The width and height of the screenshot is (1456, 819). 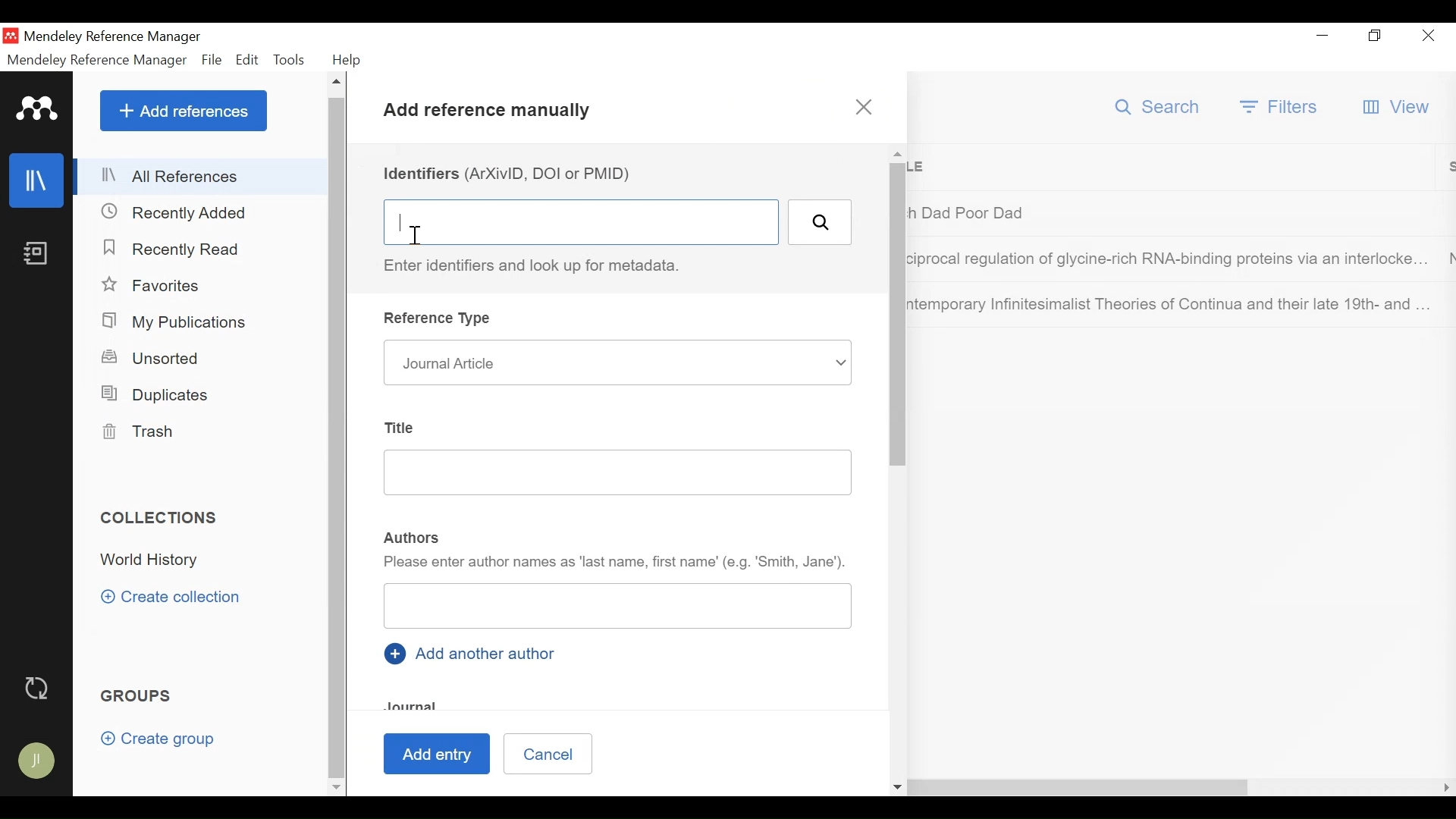 What do you see at coordinates (475, 653) in the screenshot?
I see `Add another author` at bounding box center [475, 653].